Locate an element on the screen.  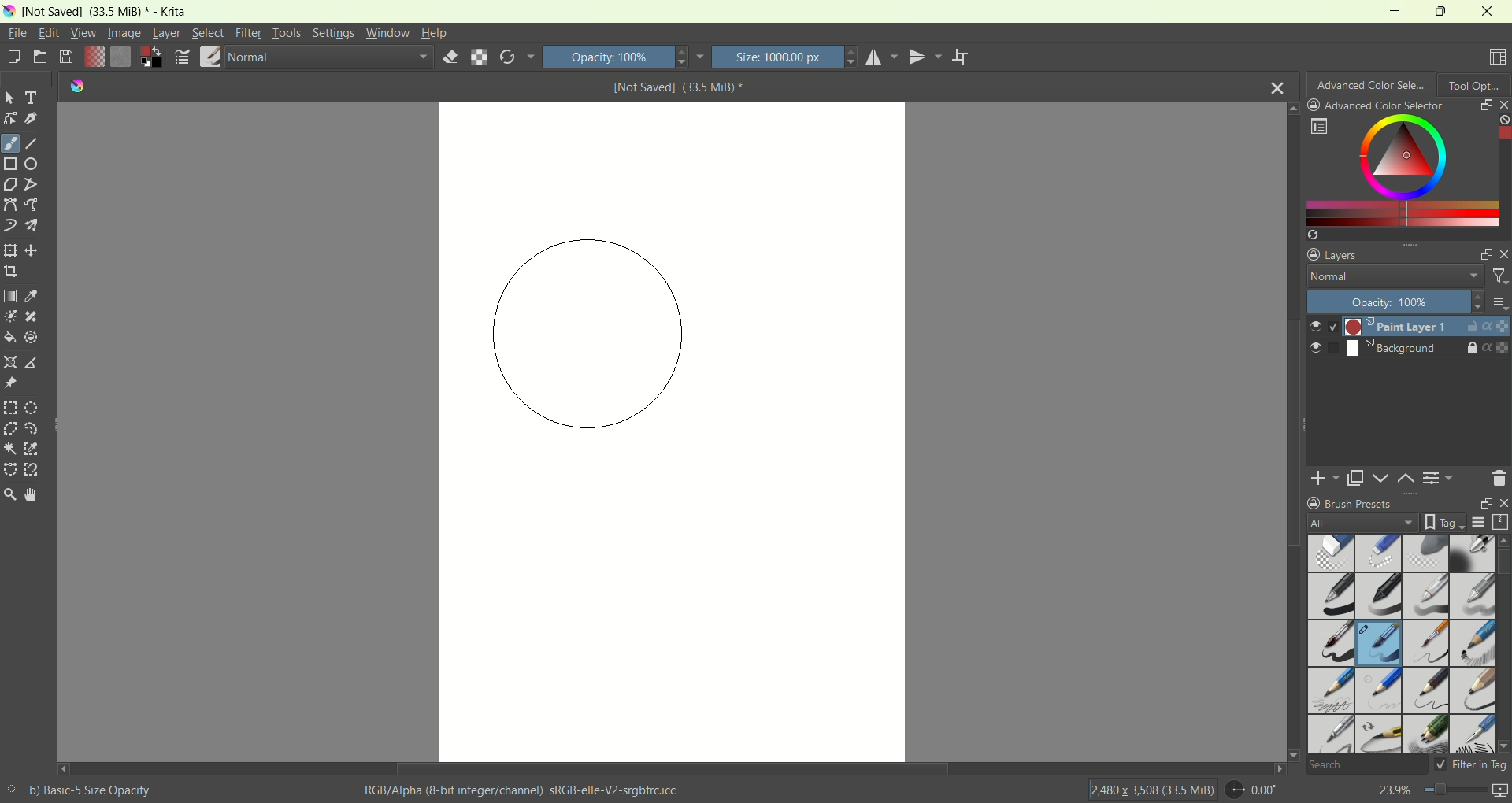
contagious selection tool is located at coordinates (9, 448).